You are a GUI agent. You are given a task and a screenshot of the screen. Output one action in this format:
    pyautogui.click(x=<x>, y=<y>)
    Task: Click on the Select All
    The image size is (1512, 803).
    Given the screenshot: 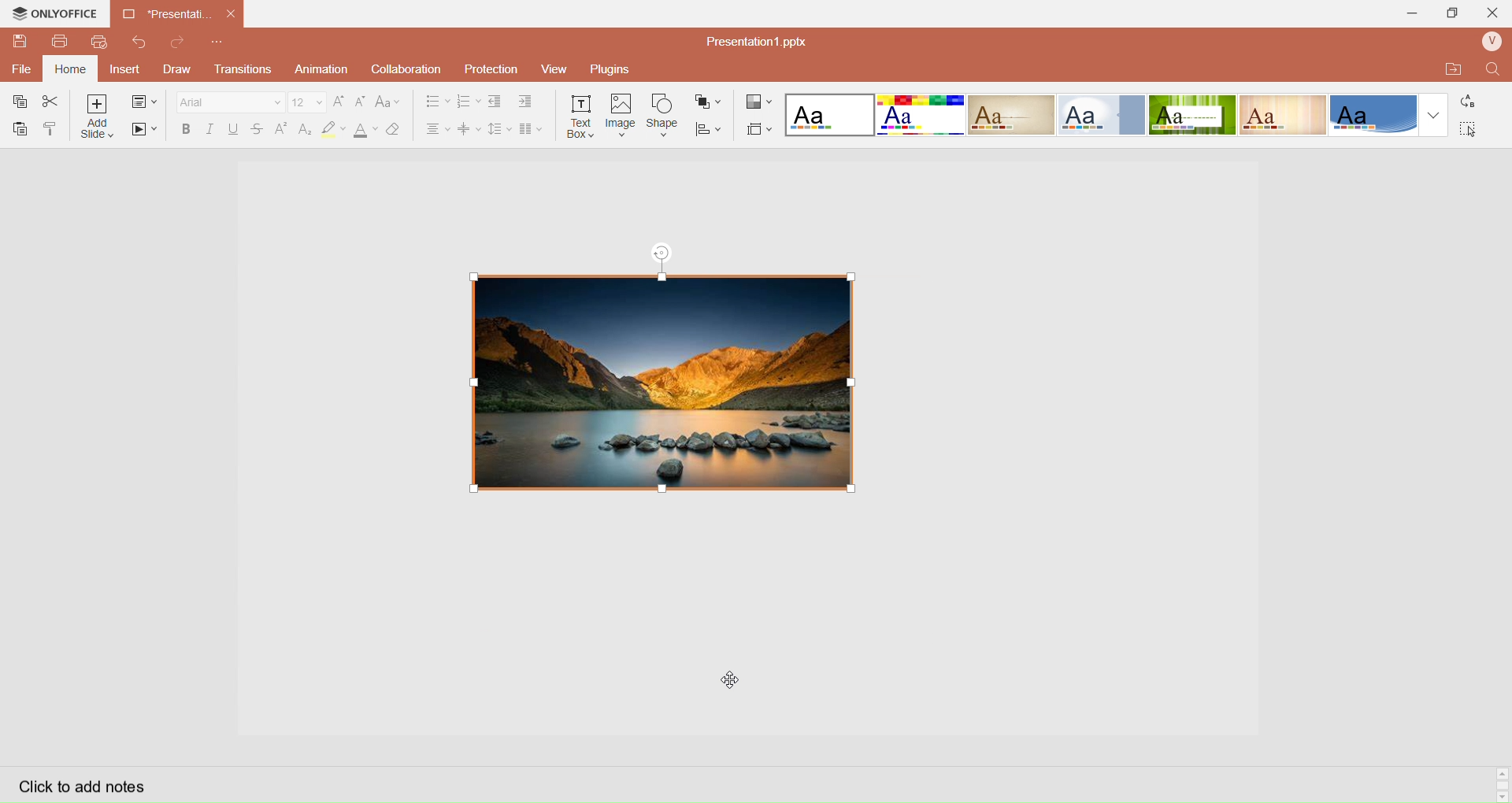 What is the action you would take?
    pyautogui.click(x=1468, y=129)
    